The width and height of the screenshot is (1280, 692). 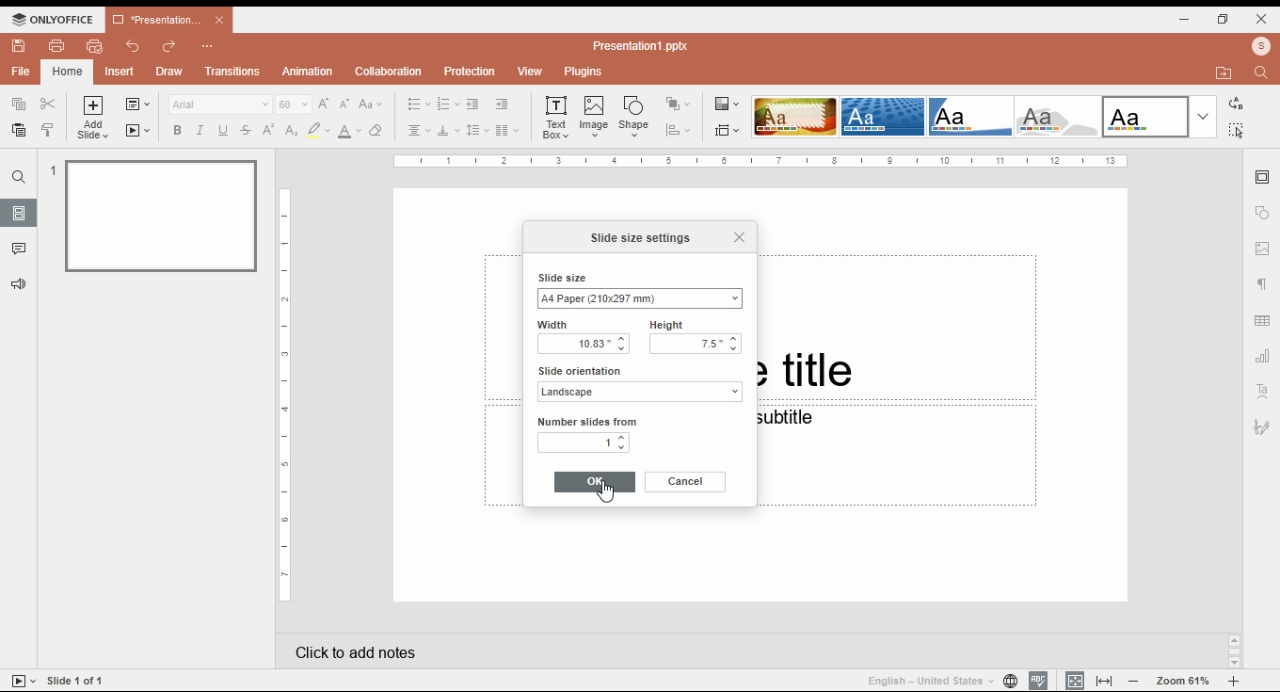 What do you see at coordinates (323, 103) in the screenshot?
I see `increment font size` at bounding box center [323, 103].